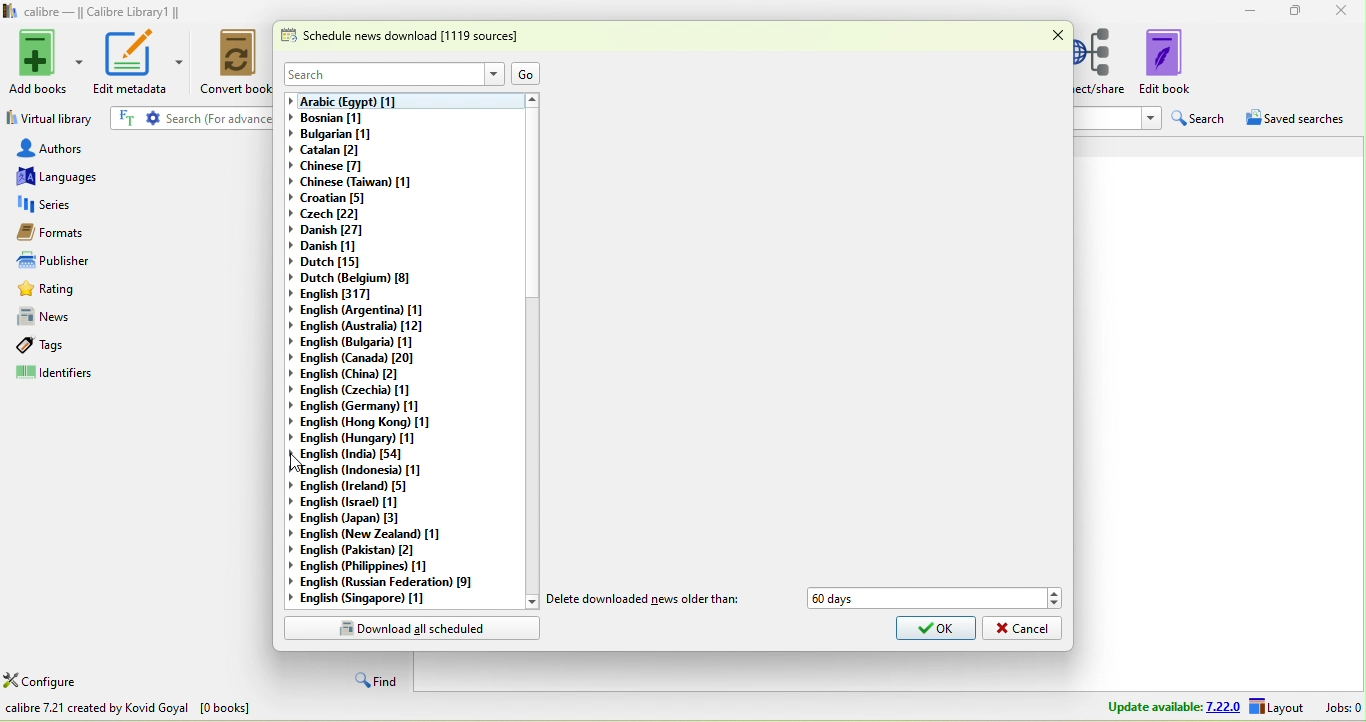 This screenshot has width=1366, height=722. I want to click on tags, so click(140, 349).